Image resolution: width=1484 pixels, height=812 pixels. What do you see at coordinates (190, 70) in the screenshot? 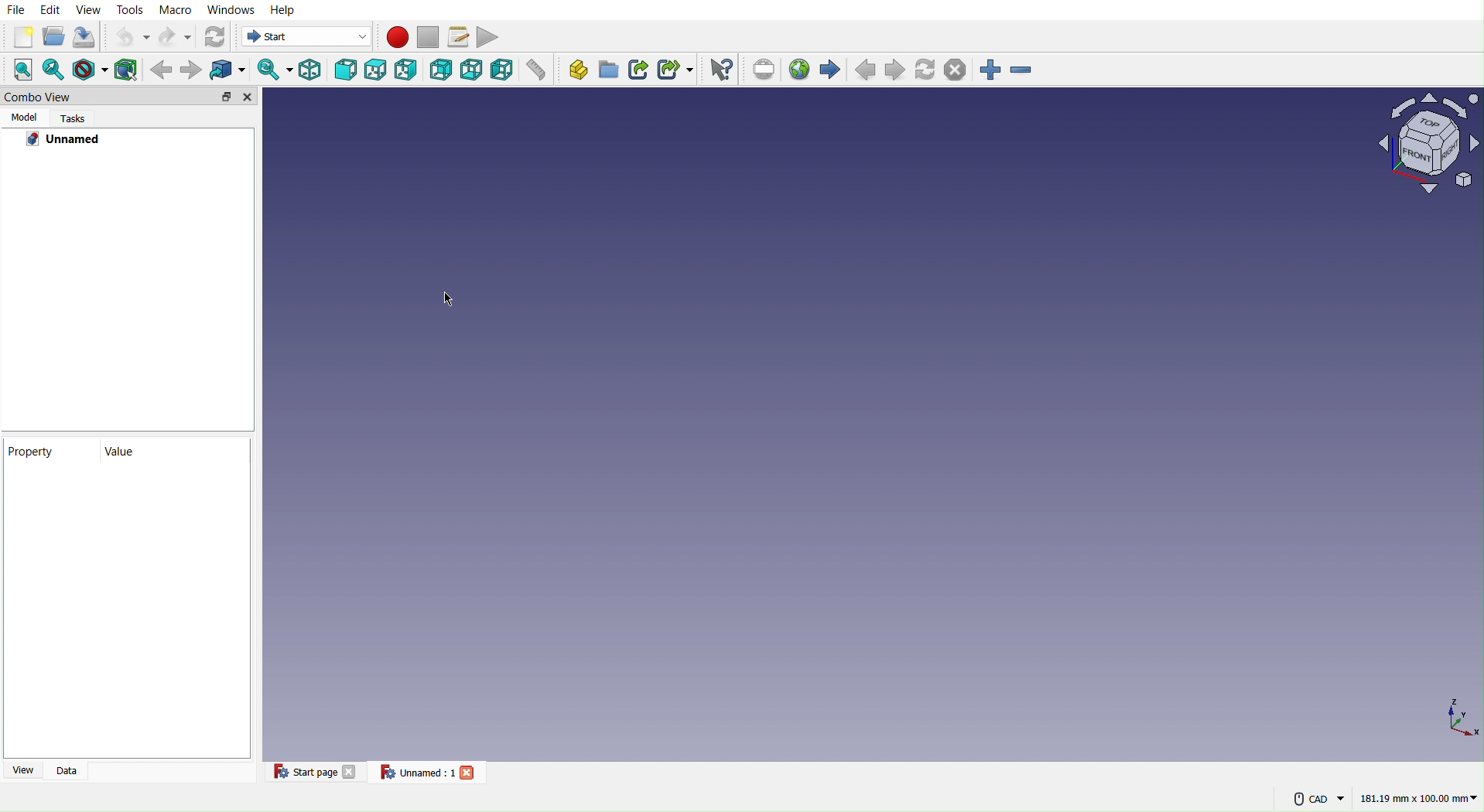
I see `Repeat the backed selection` at bounding box center [190, 70].